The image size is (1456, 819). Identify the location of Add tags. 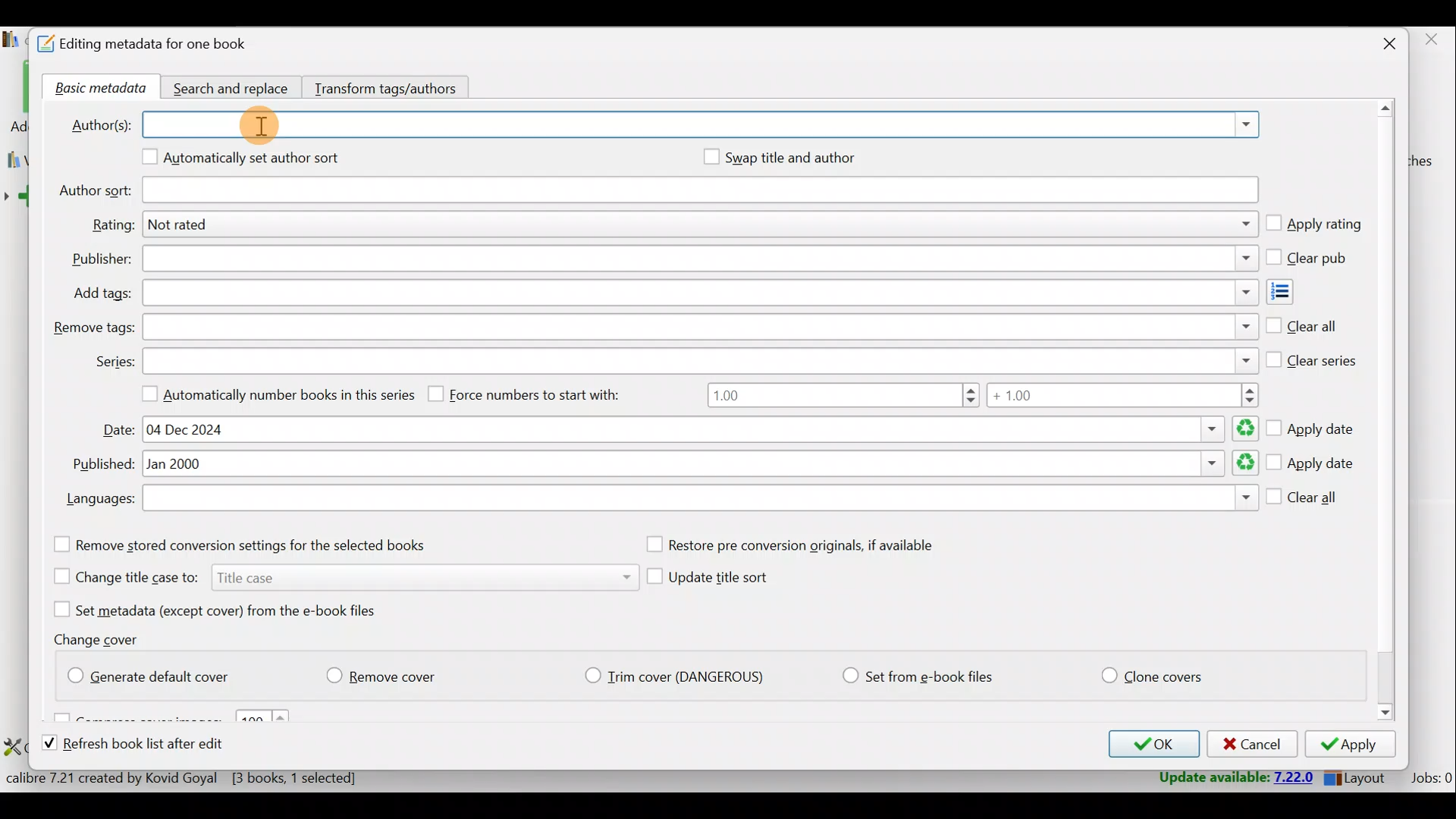
(1294, 292).